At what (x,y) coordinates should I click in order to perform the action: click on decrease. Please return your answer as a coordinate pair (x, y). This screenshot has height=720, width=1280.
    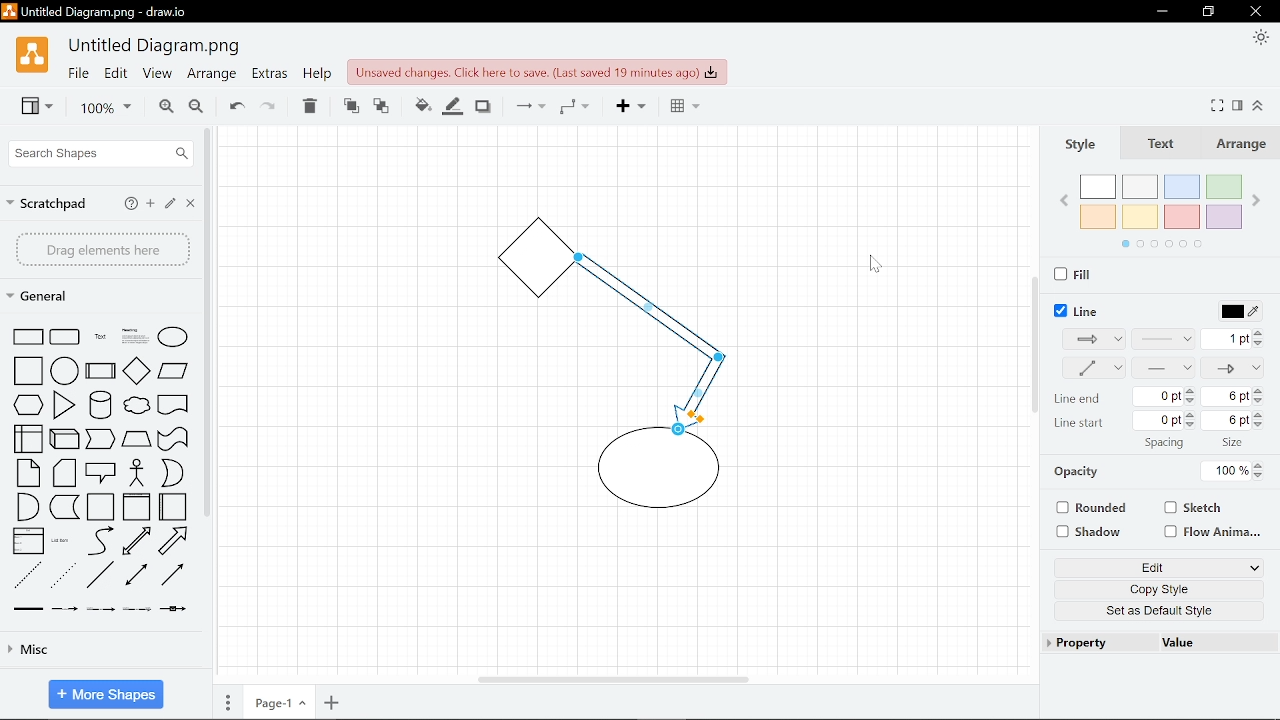
    Looking at the image, I should click on (1191, 425).